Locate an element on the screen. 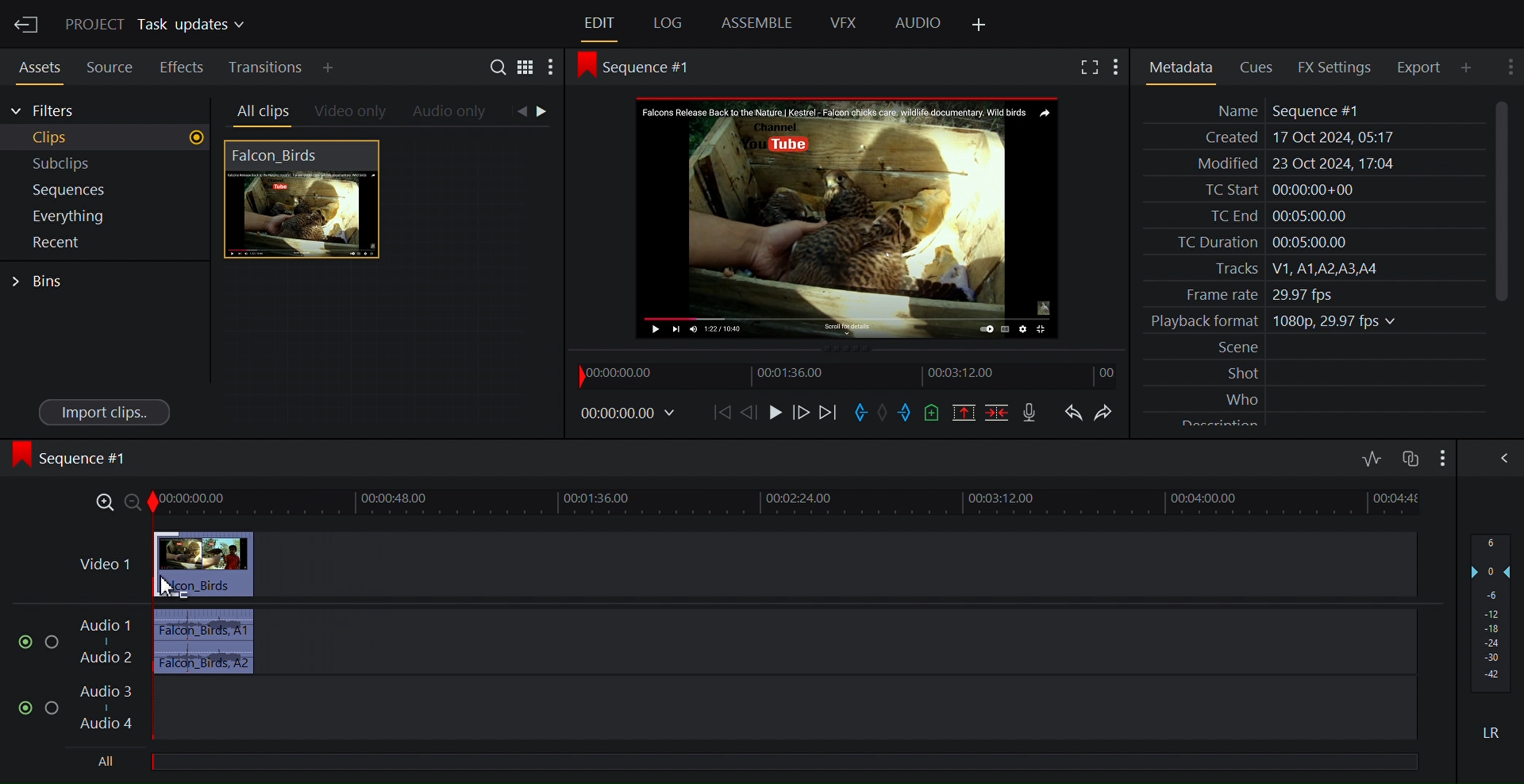 The height and width of the screenshot is (784, 1524). (un)mute is located at coordinates (27, 708).